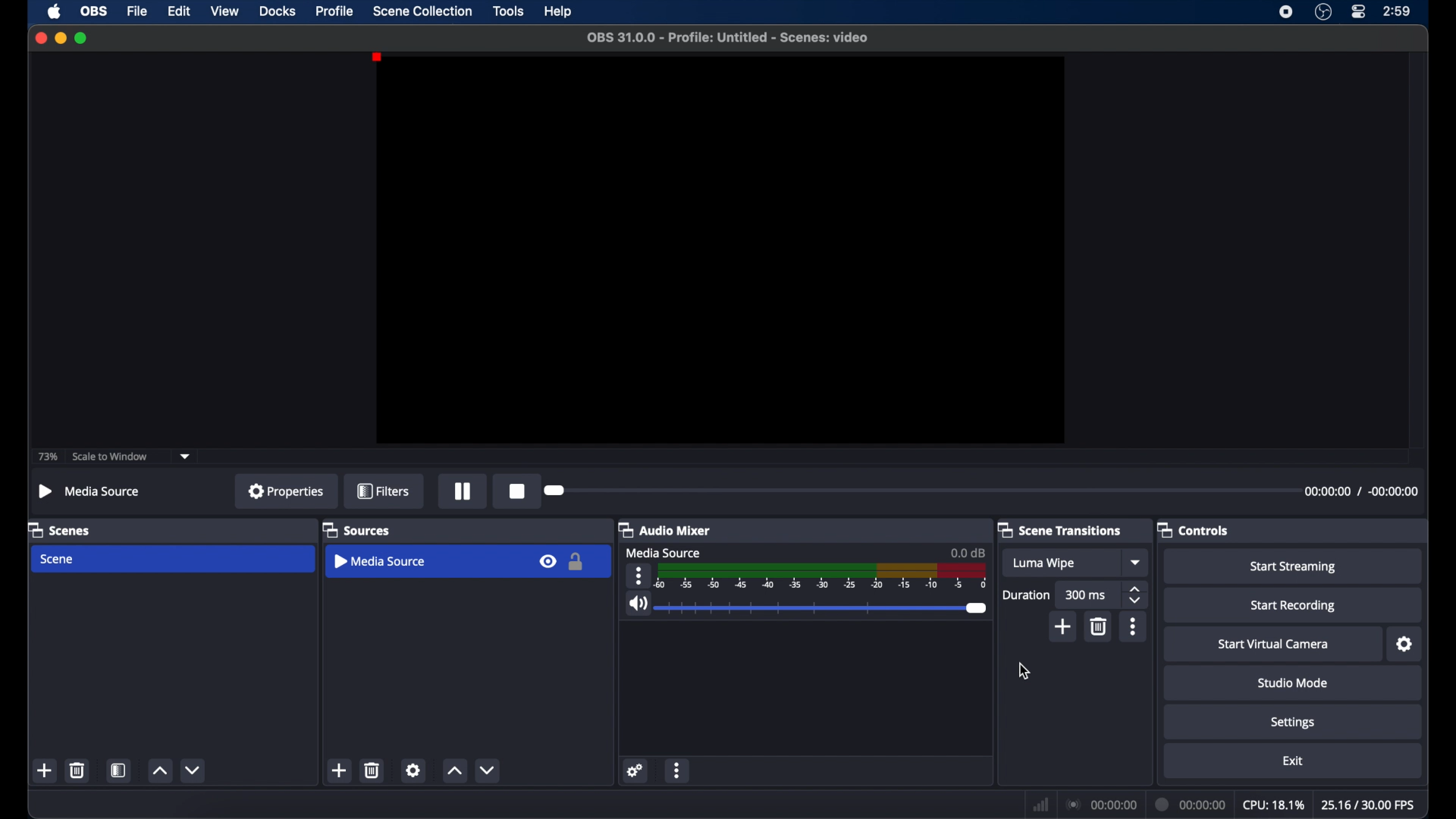 Image resolution: width=1456 pixels, height=819 pixels. I want to click on more options, so click(1134, 627).